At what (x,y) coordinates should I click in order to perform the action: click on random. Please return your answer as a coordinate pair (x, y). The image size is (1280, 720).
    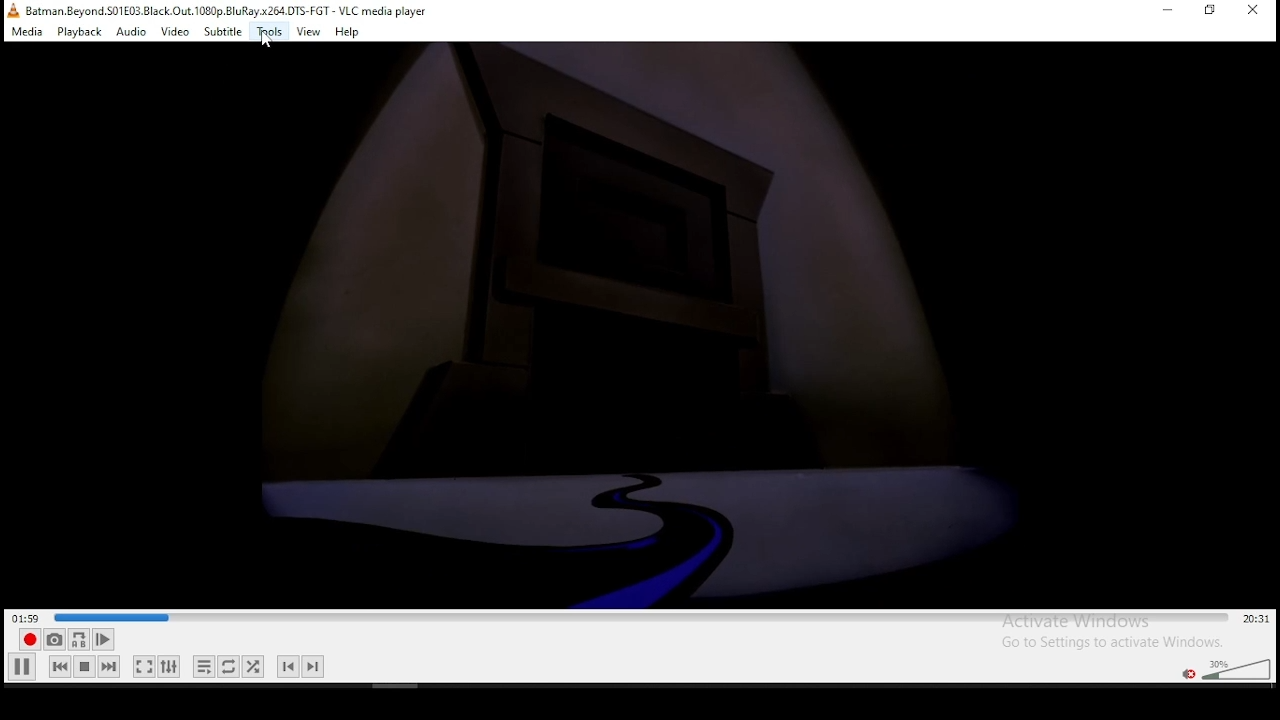
    Looking at the image, I should click on (252, 666).